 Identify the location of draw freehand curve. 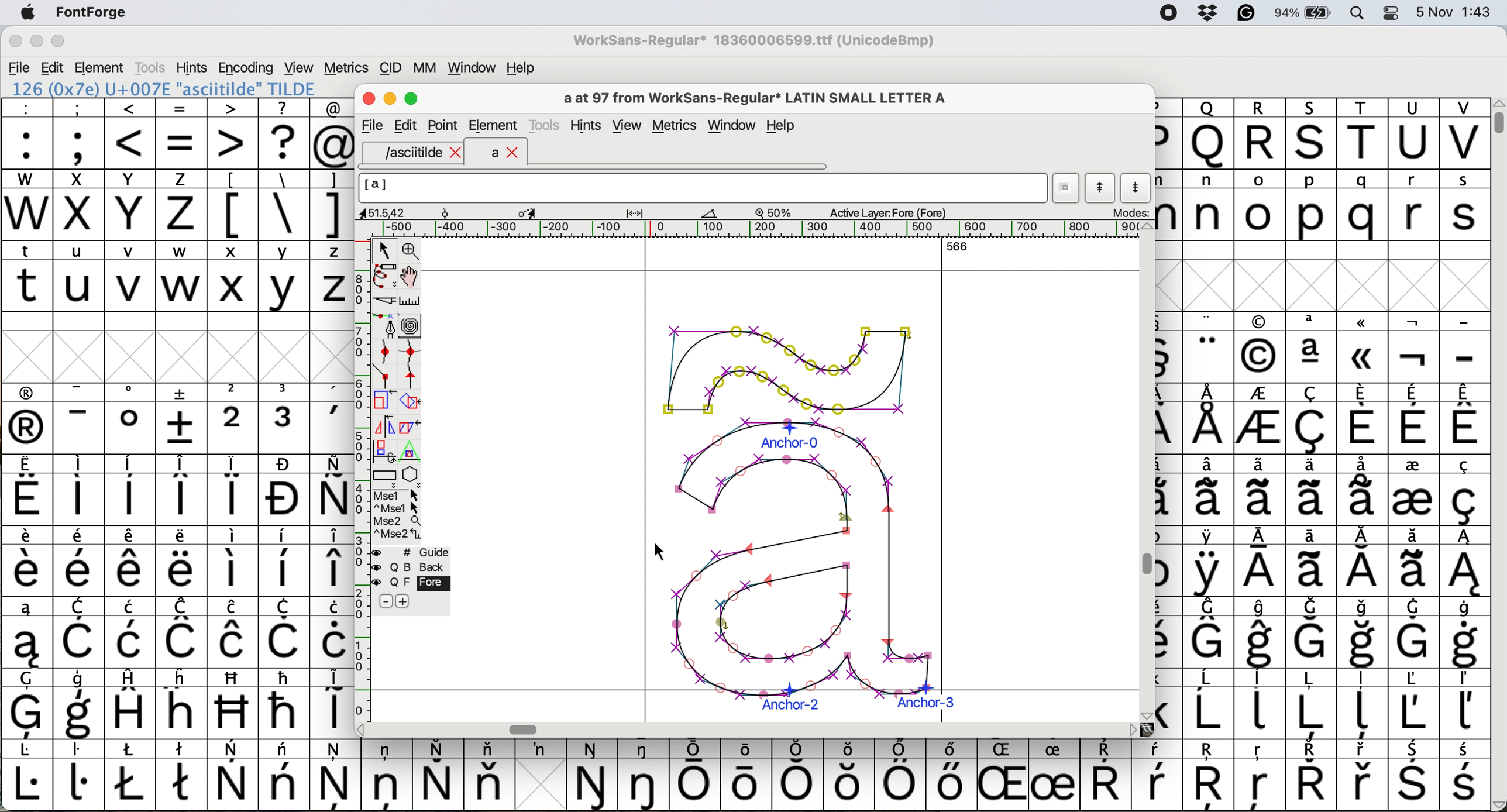
(384, 276).